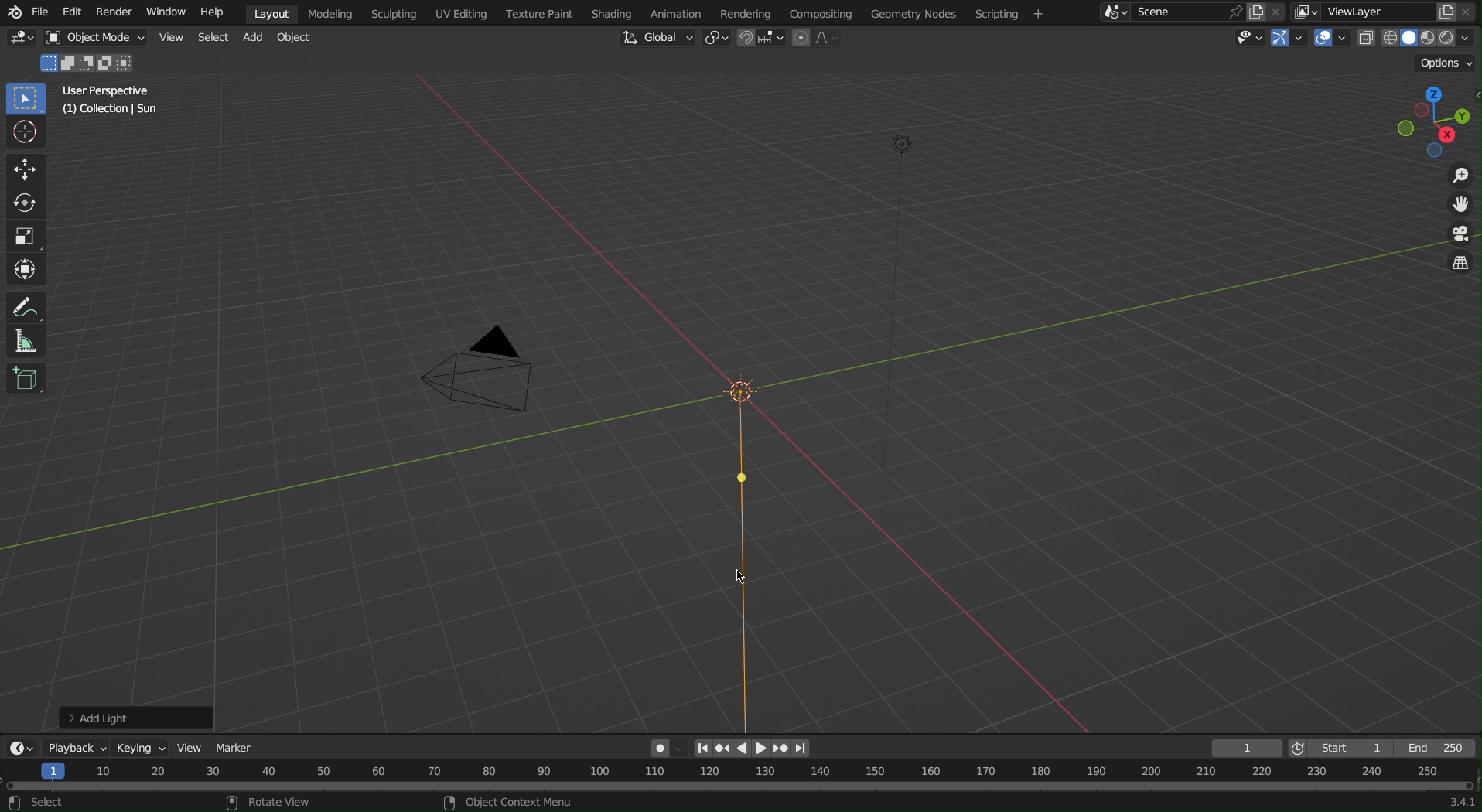 This screenshot has height=812, width=1482. I want to click on Select Box, so click(28, 100).